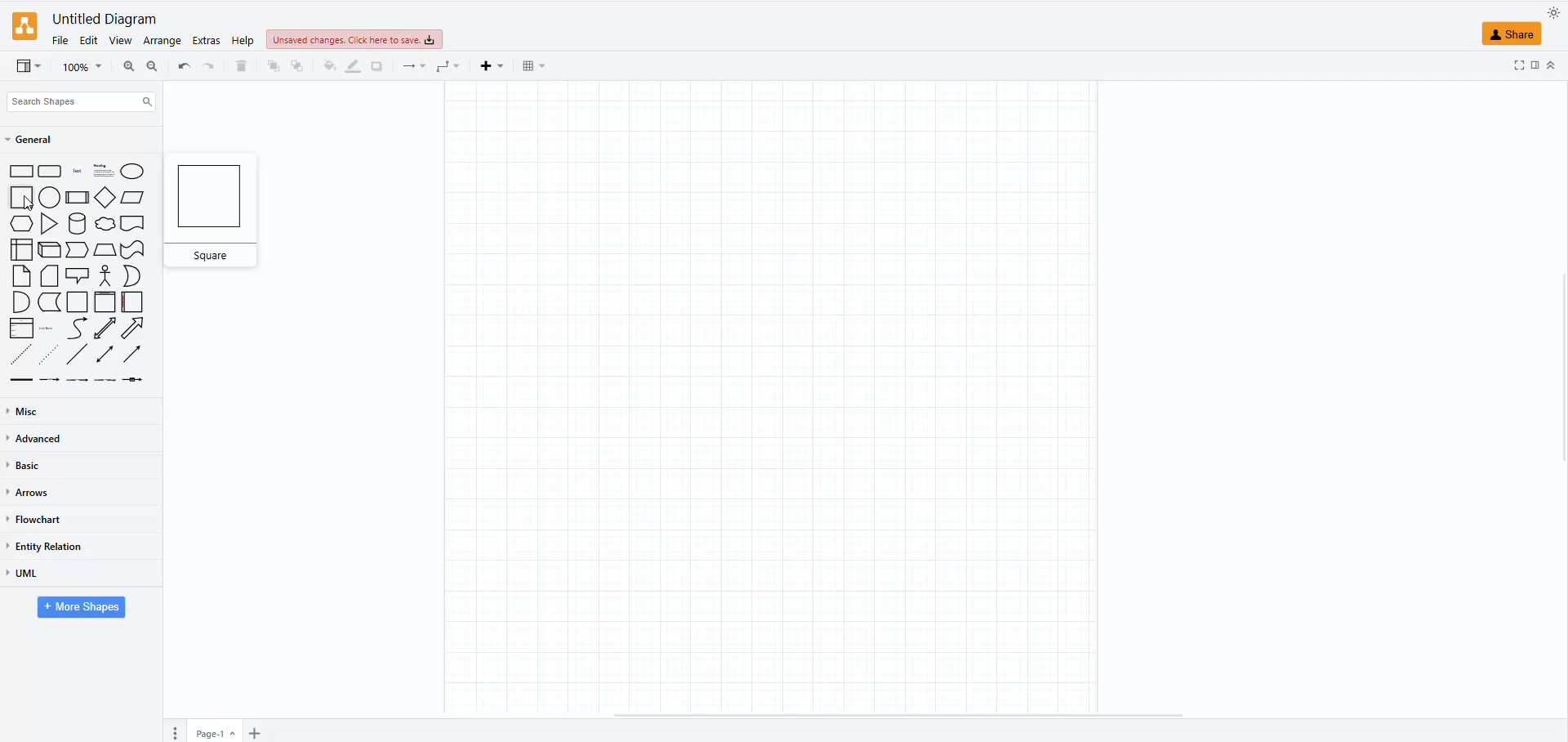 This screenshot has height=742, width=1568. What do you see at coordinates (23, 574) in the screenshot?
I see `uml` at bounding box center [23, 574].